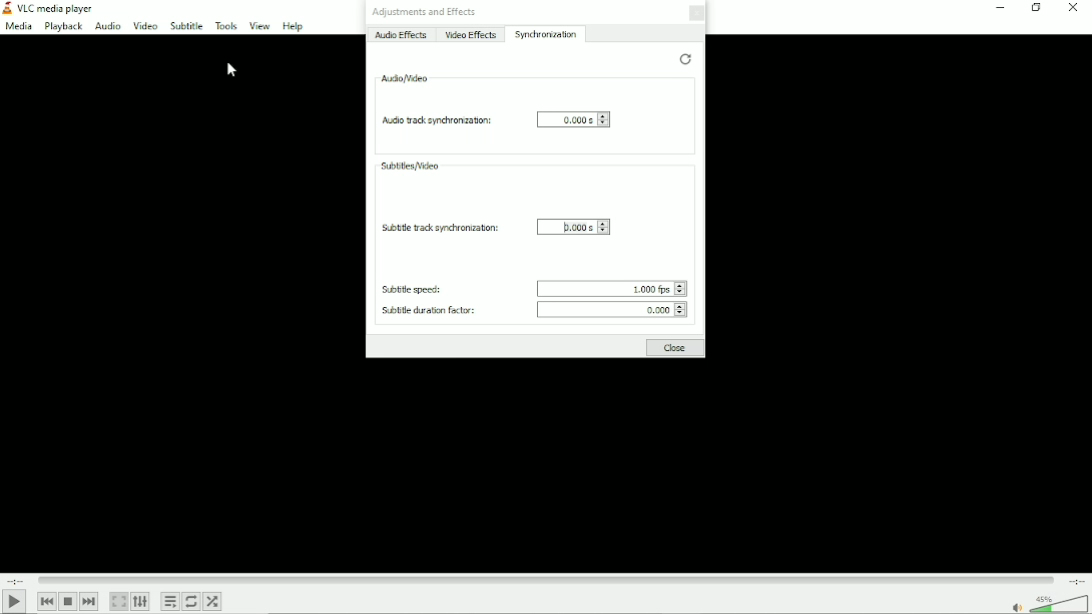  What do you see at coordinates (471, 35) in the screenshot?
I see `Video effects` at bounding box center [471, 35].